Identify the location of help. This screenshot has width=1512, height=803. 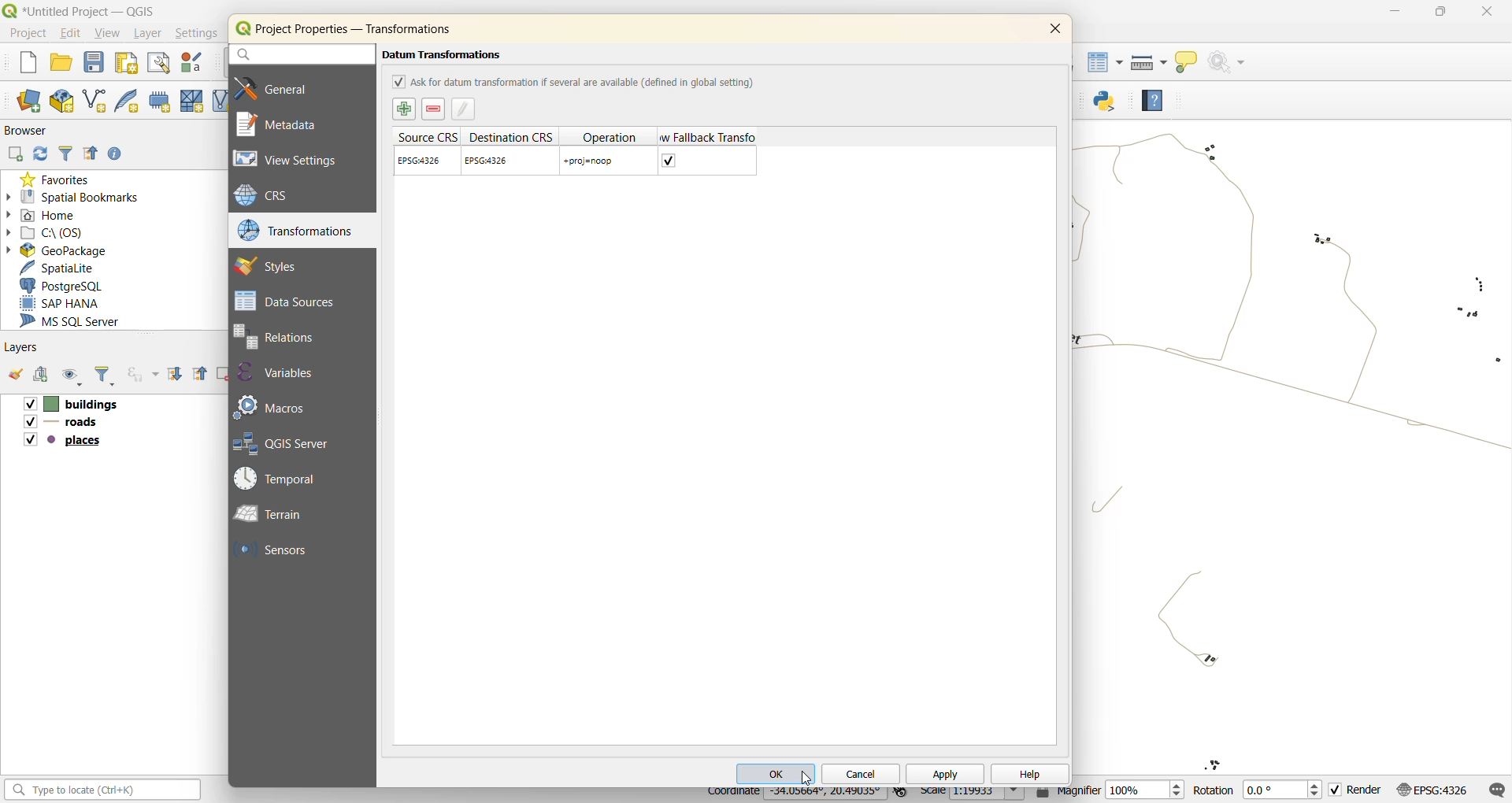
(1152, 98).